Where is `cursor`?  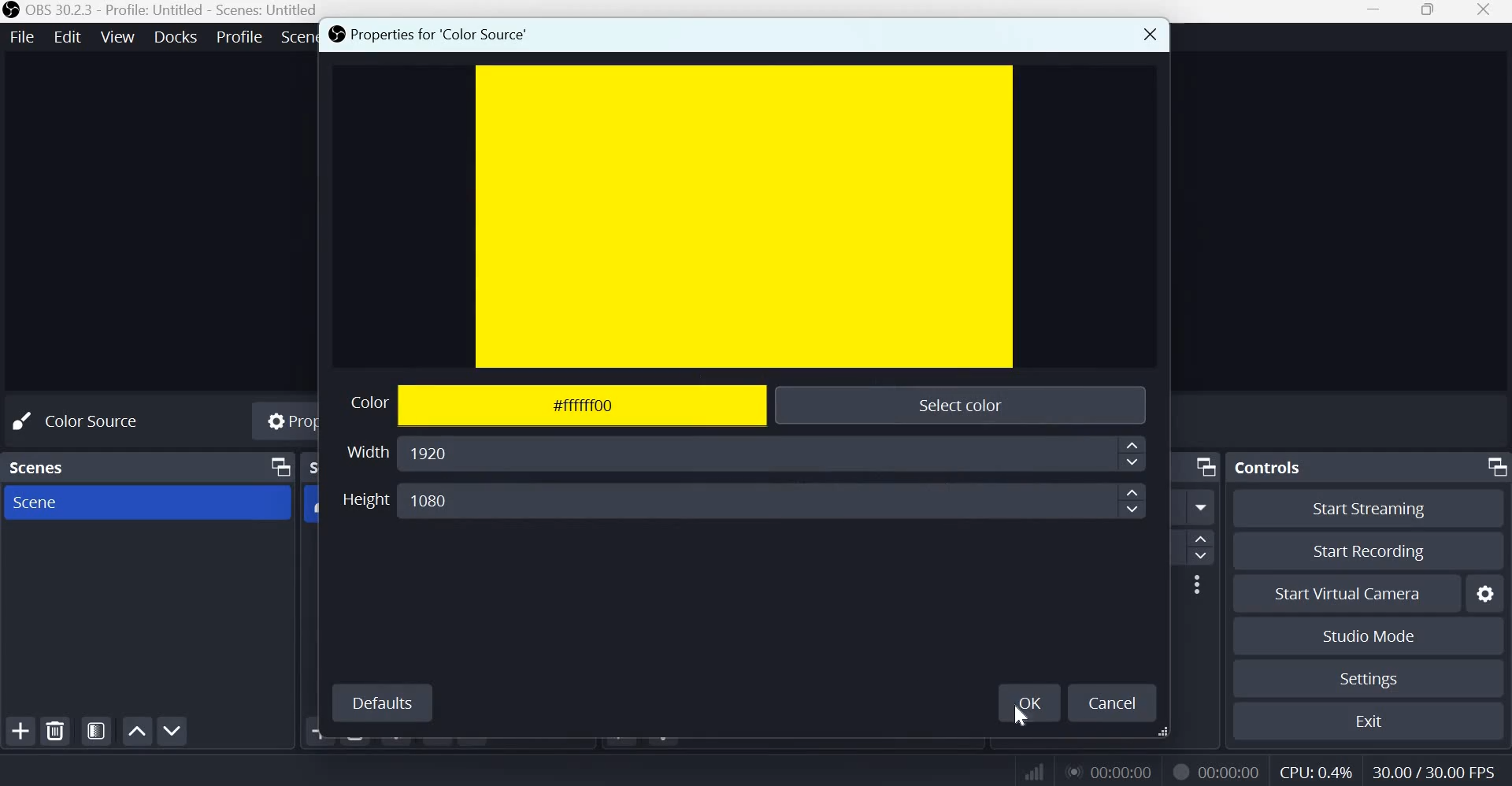
cursor is located at coordinates (1023, 719).